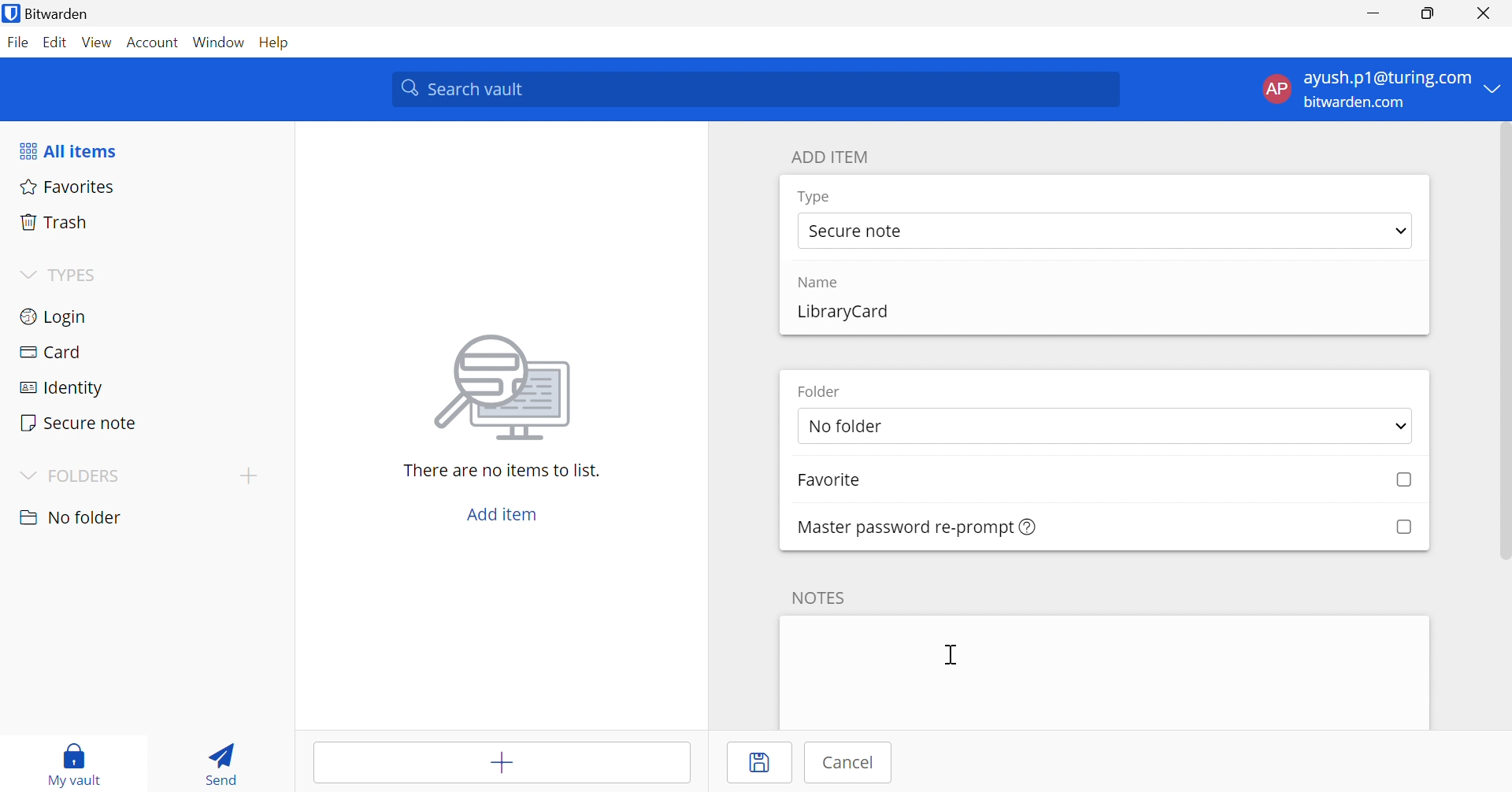  What do you see at coordinates (140, 383) in the screenshot?
I see `Identity` at bounding box center [140, 383].